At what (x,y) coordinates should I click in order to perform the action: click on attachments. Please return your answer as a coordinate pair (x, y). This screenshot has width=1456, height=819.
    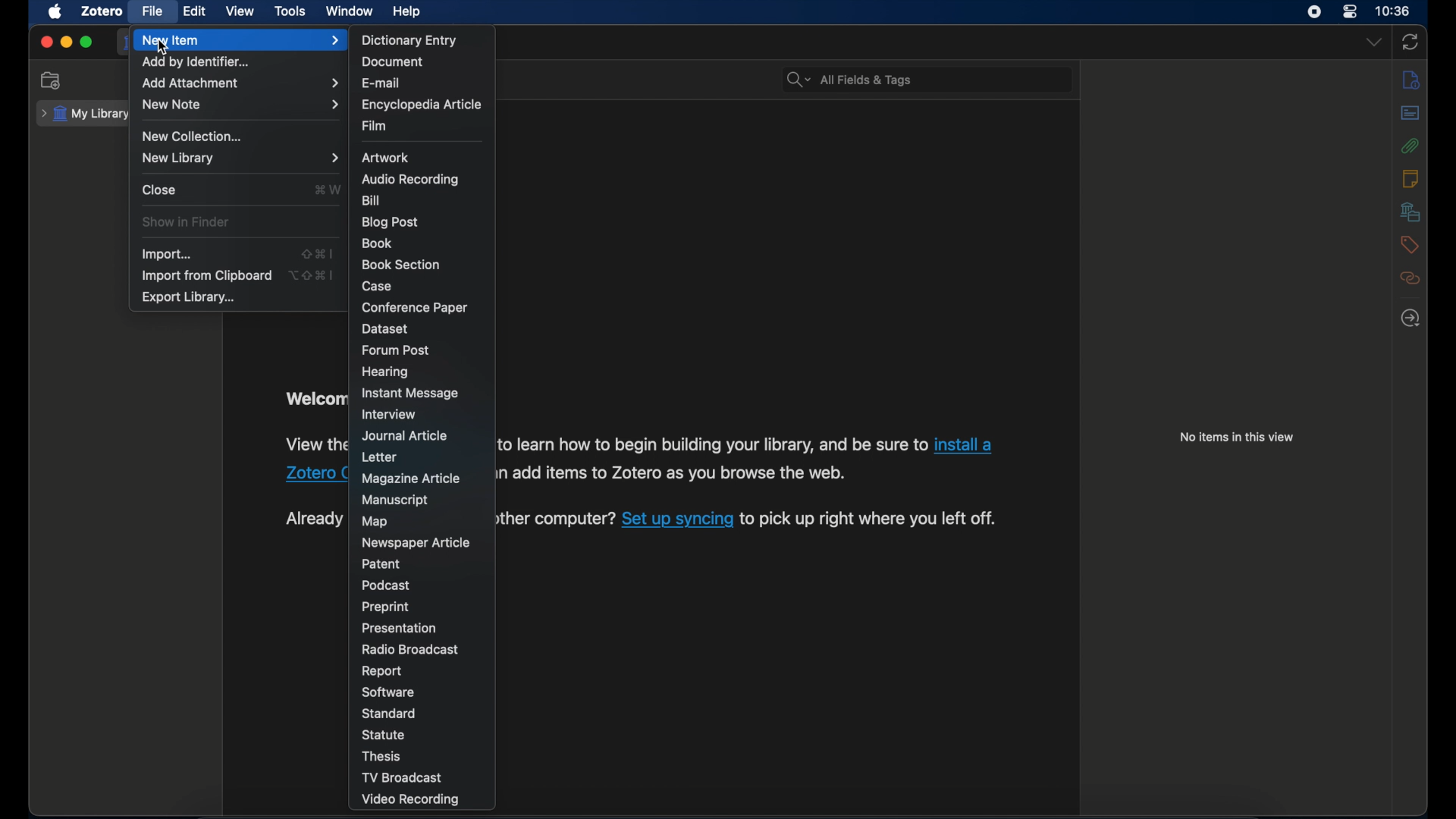
    Looking at the image, I should click on (1410, 146).